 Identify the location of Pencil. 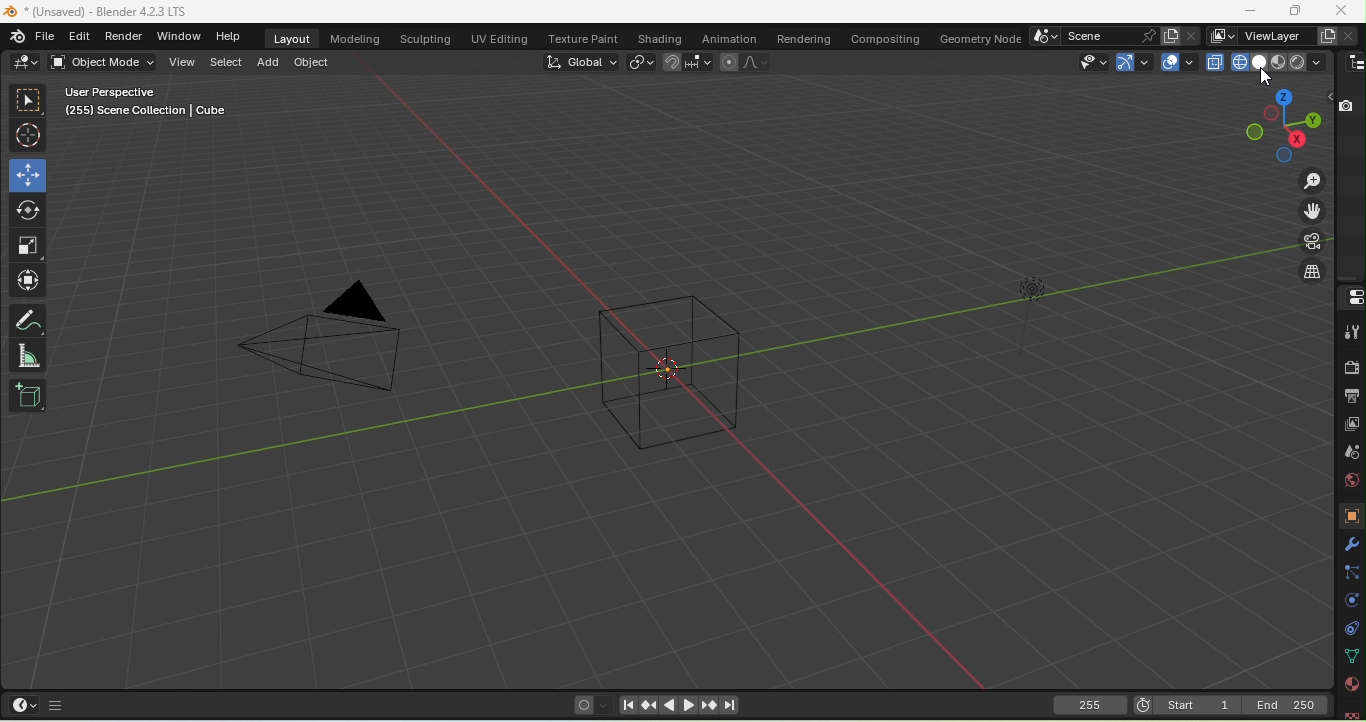
(30, 320).